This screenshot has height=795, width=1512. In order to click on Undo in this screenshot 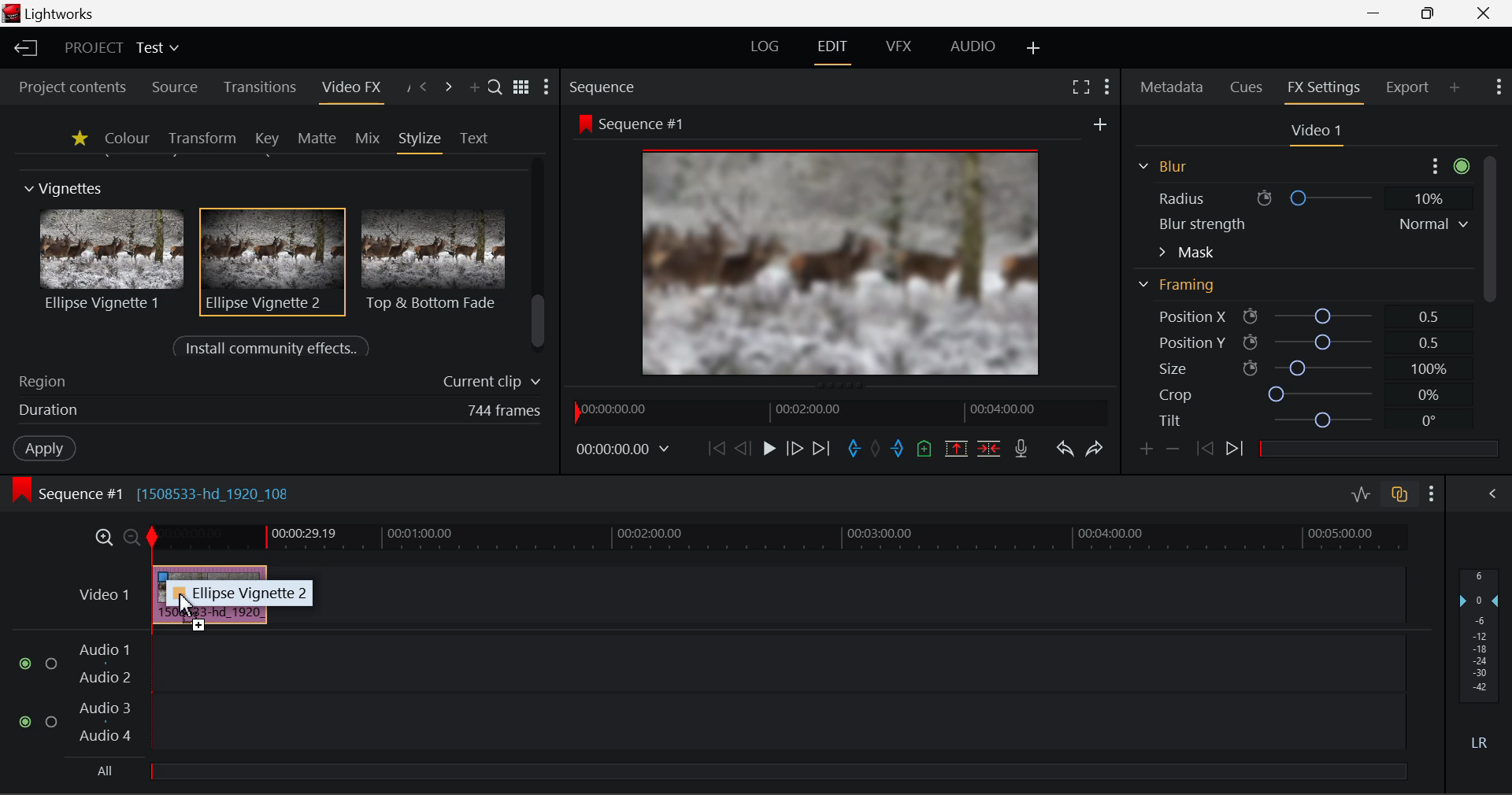, I will do `click(1063, 446)`.